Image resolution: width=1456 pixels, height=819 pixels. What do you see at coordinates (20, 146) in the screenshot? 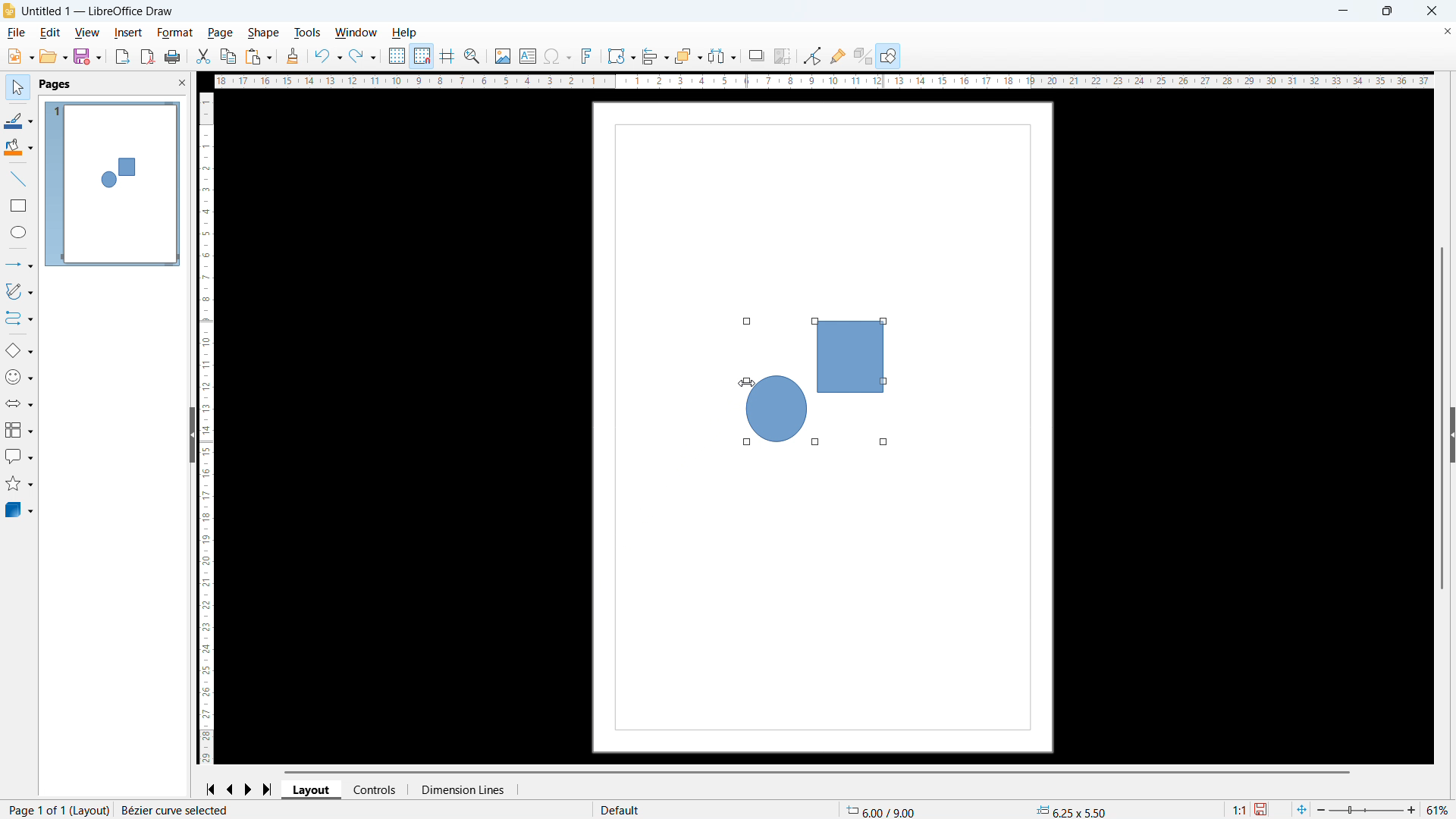
I see `Background colour ` at bounding box center [20, 146].